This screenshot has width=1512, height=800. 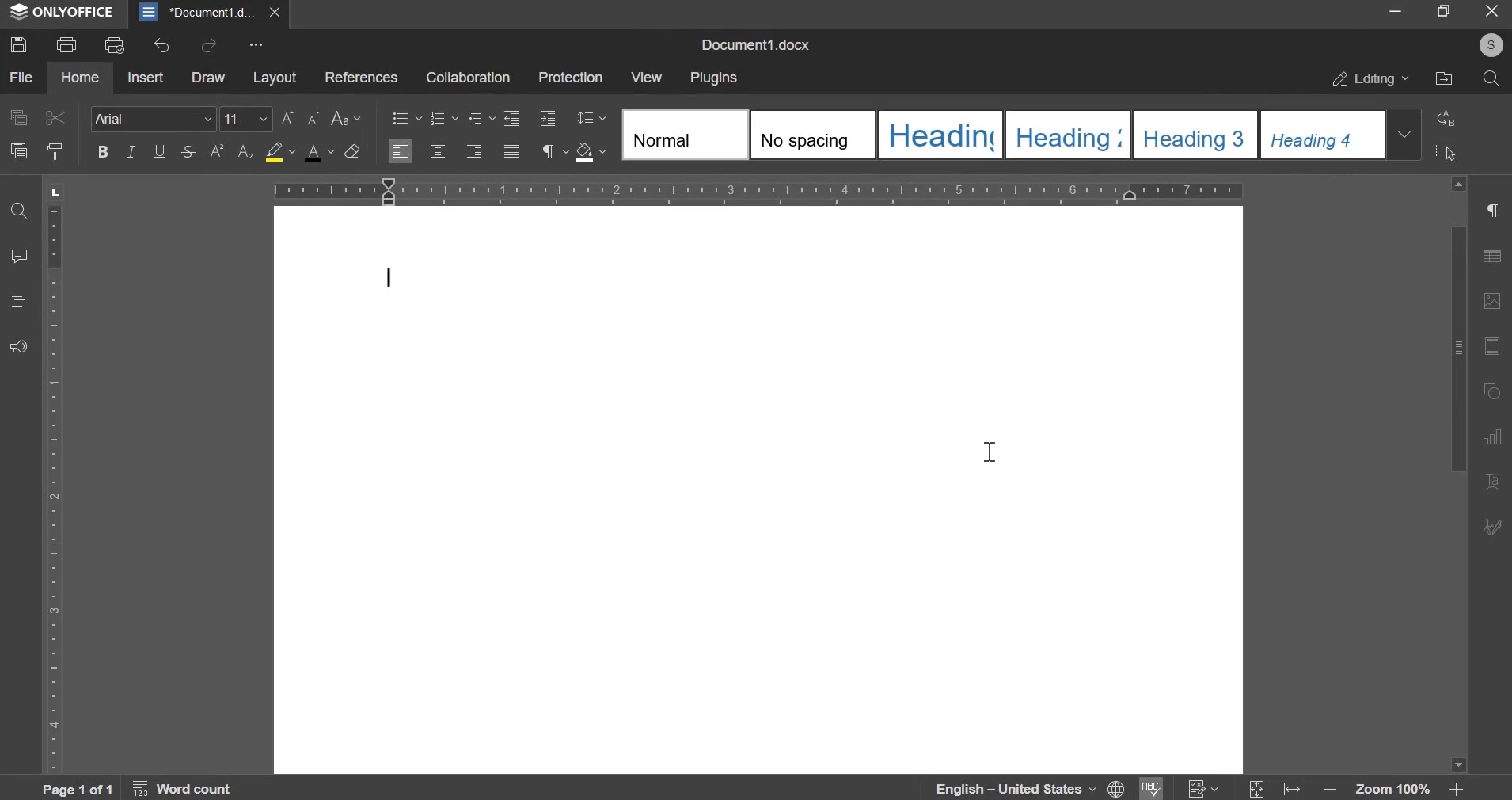 I want to click on line spacing, so click(x=591, y=117).